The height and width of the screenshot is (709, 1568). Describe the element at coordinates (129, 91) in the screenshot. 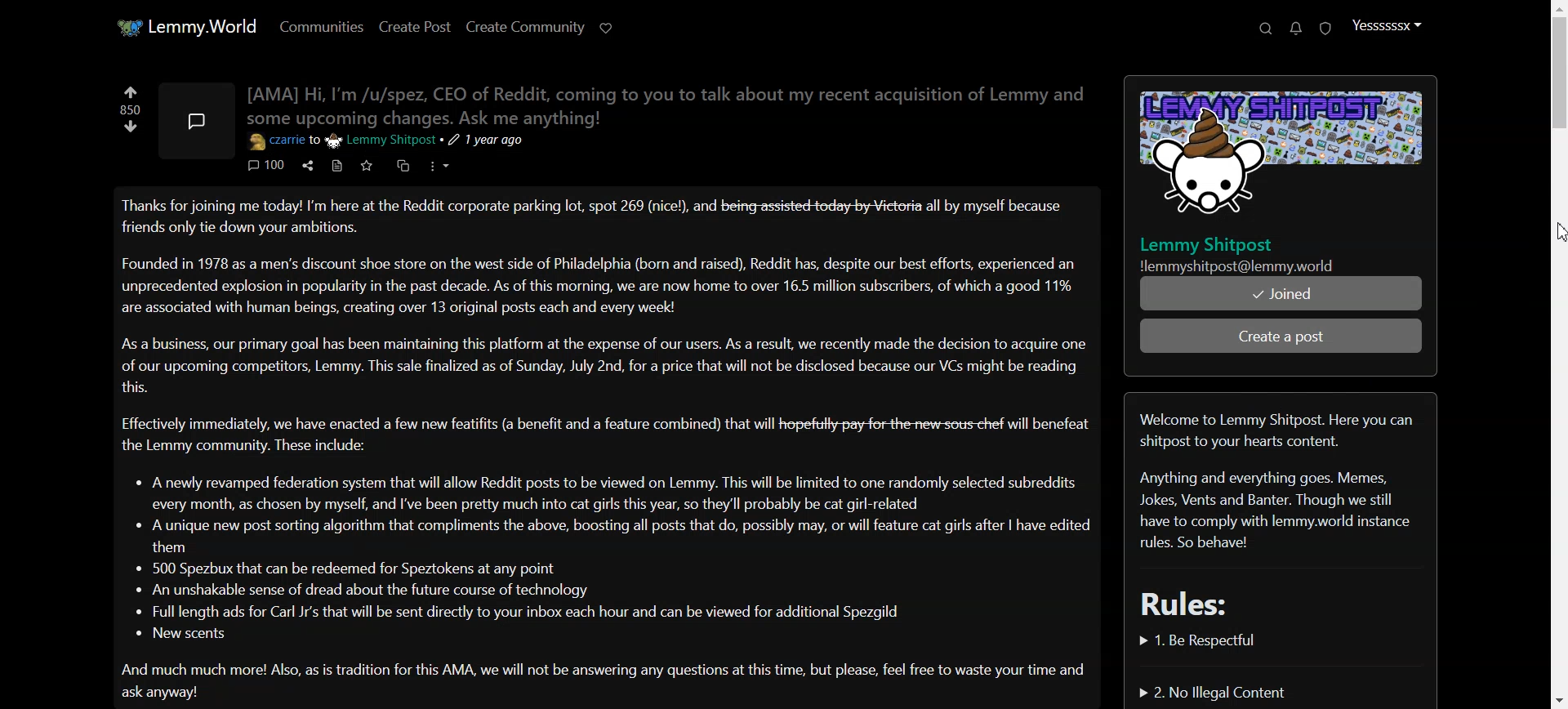

I see `Upvote` at that location.